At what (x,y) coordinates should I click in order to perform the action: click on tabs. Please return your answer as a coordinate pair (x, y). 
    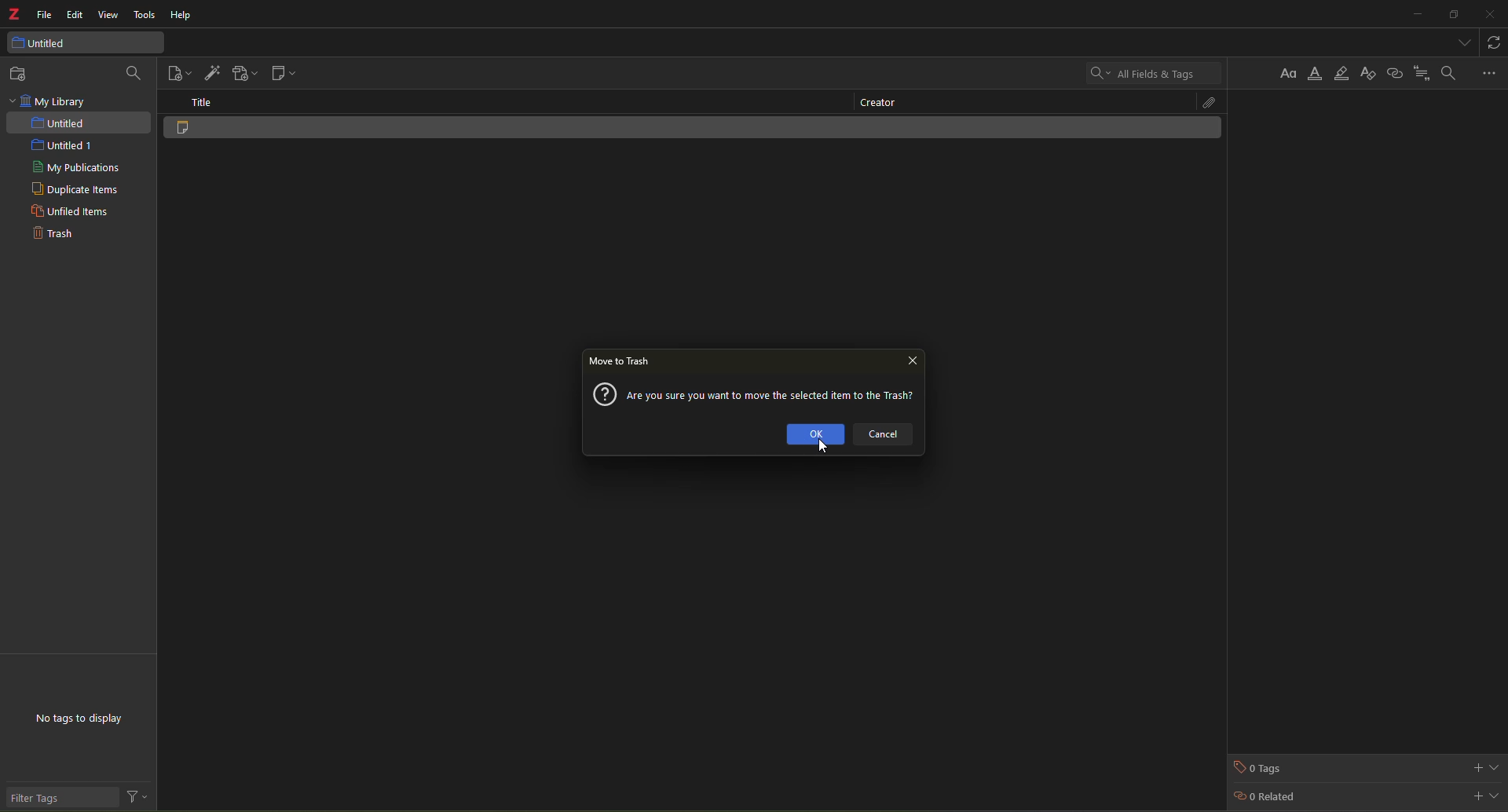
    Looking at the image, I should click on (1460, 41).